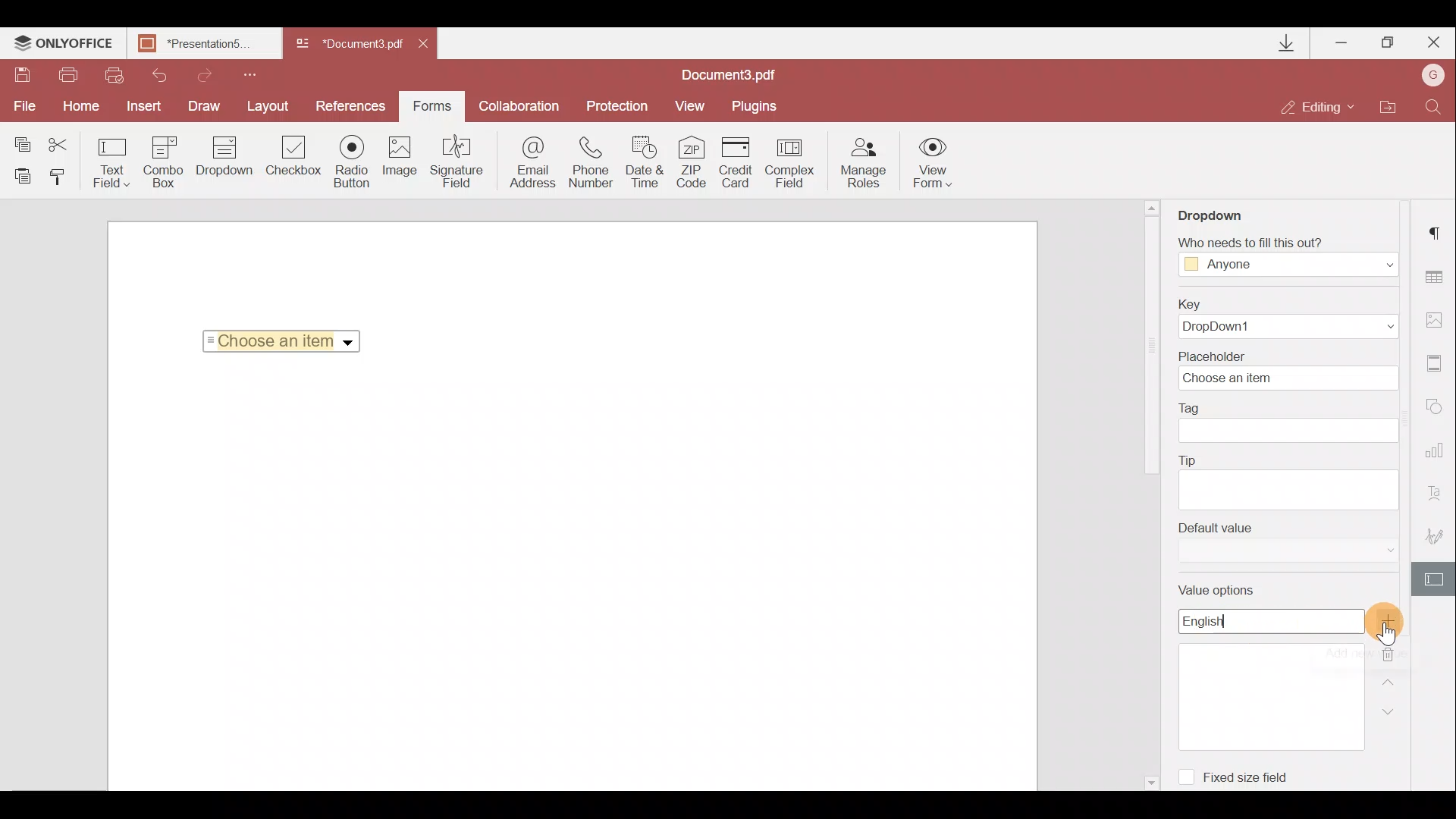 This screenshot has width=1456, height=819. I want to click on Find, so click(1434, 105).